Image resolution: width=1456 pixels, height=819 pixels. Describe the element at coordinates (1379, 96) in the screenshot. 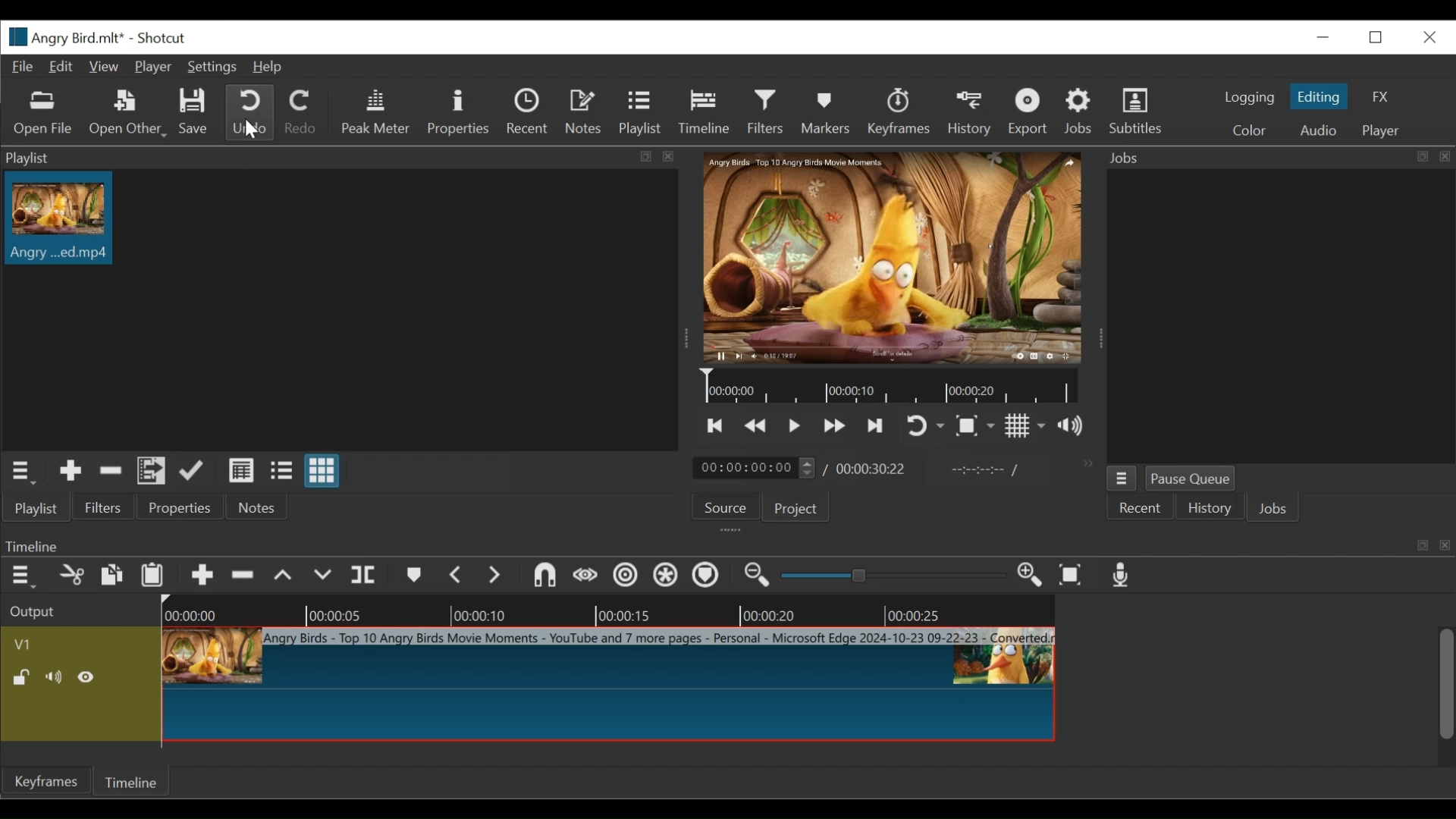

I see `FX` at that location.